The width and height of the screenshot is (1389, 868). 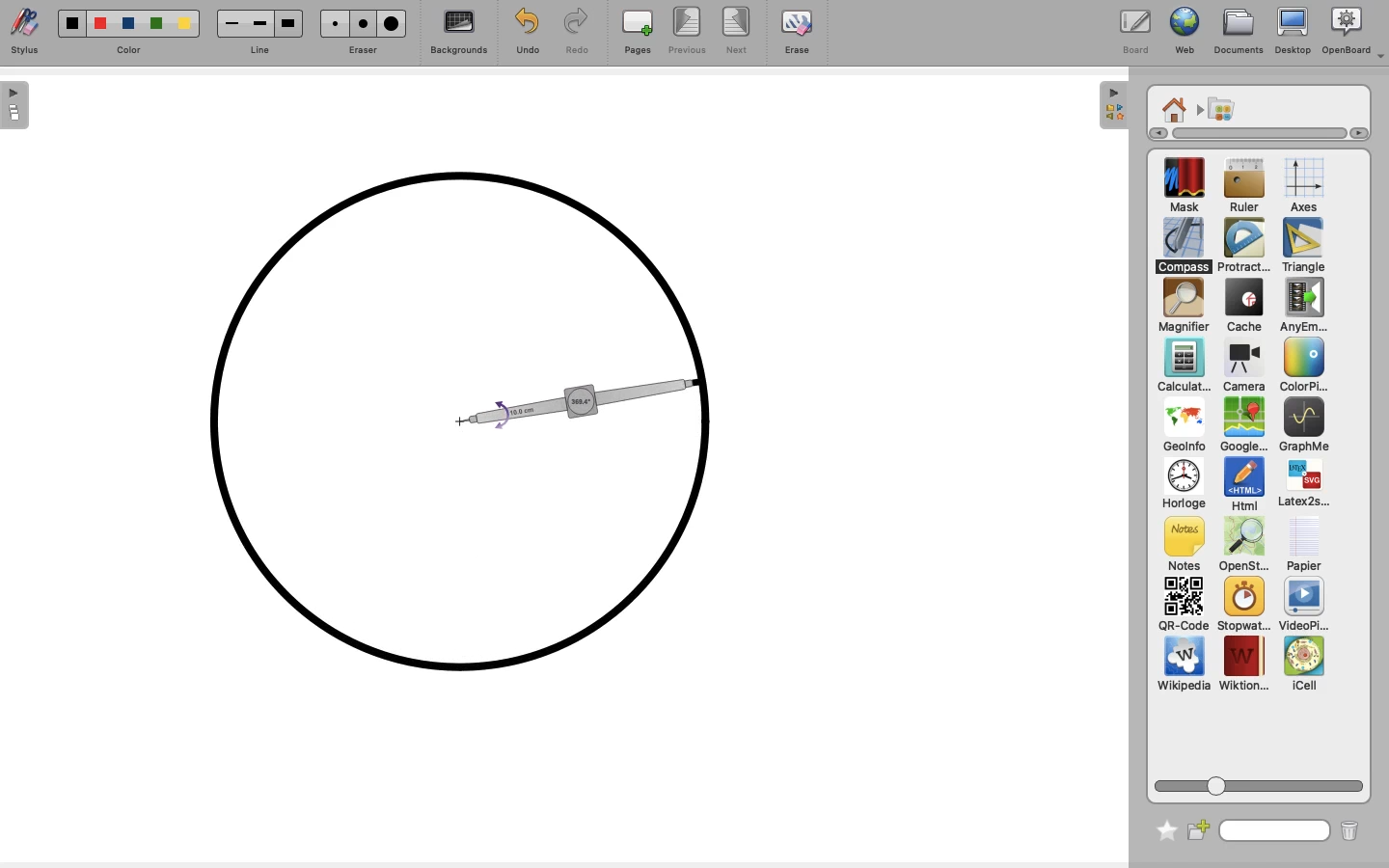 I want to click on Cache, so click(x=1241, y=308).